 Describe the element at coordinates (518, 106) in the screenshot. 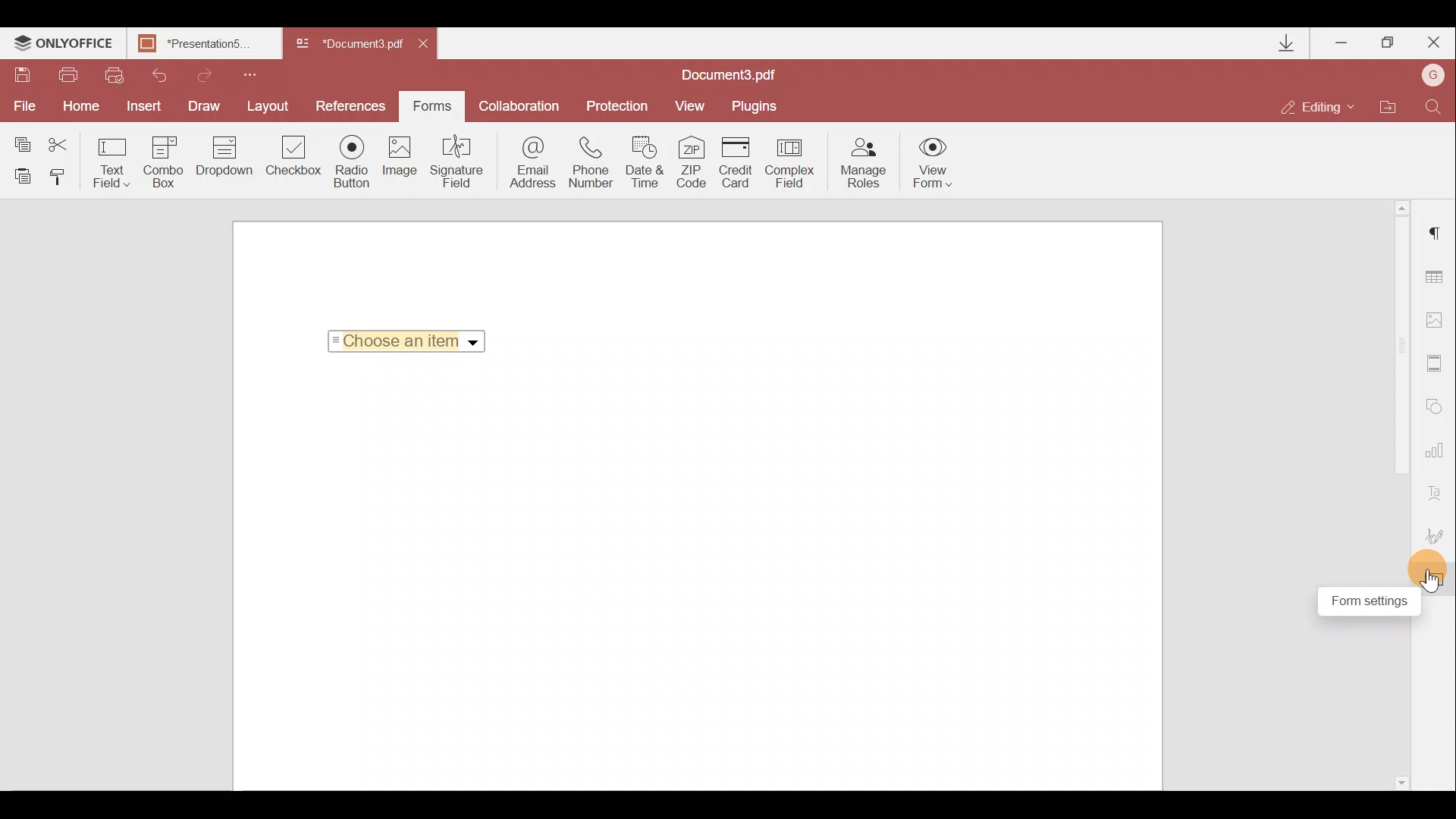

I see `Collaboration` at that location.